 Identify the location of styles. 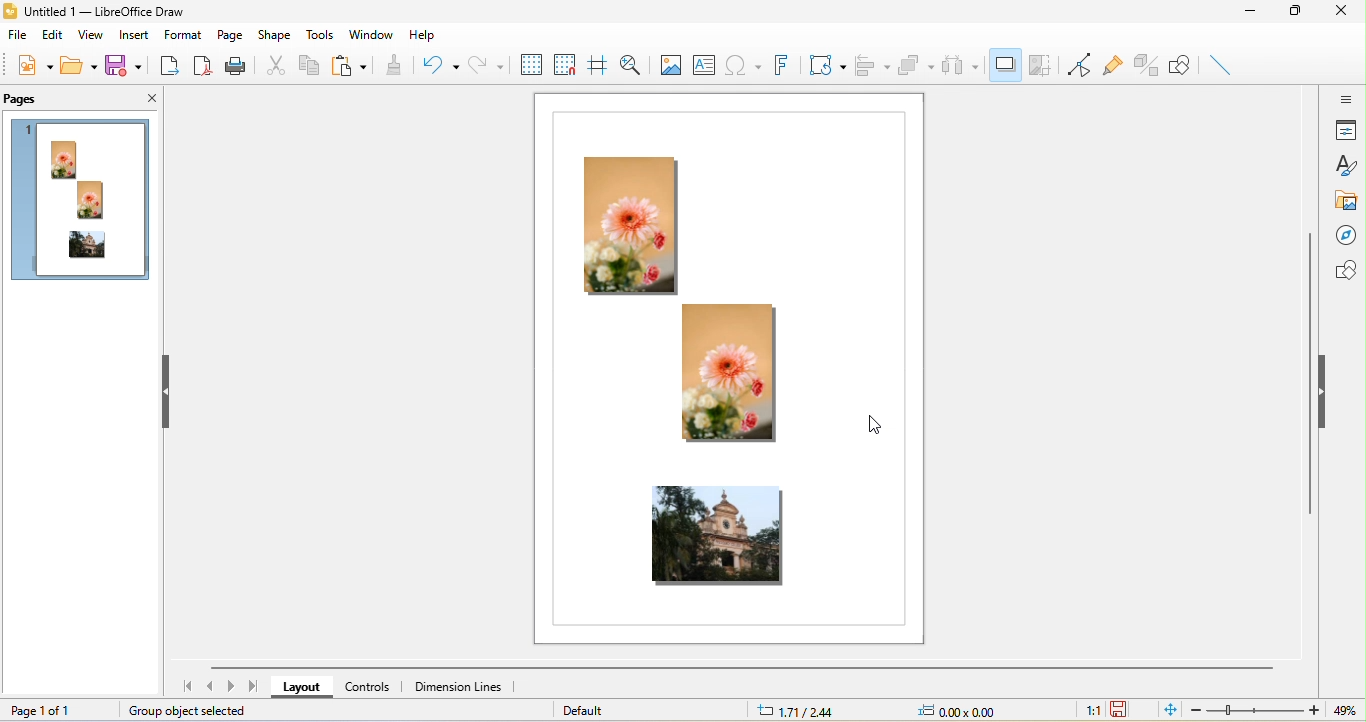
(1346, 165).